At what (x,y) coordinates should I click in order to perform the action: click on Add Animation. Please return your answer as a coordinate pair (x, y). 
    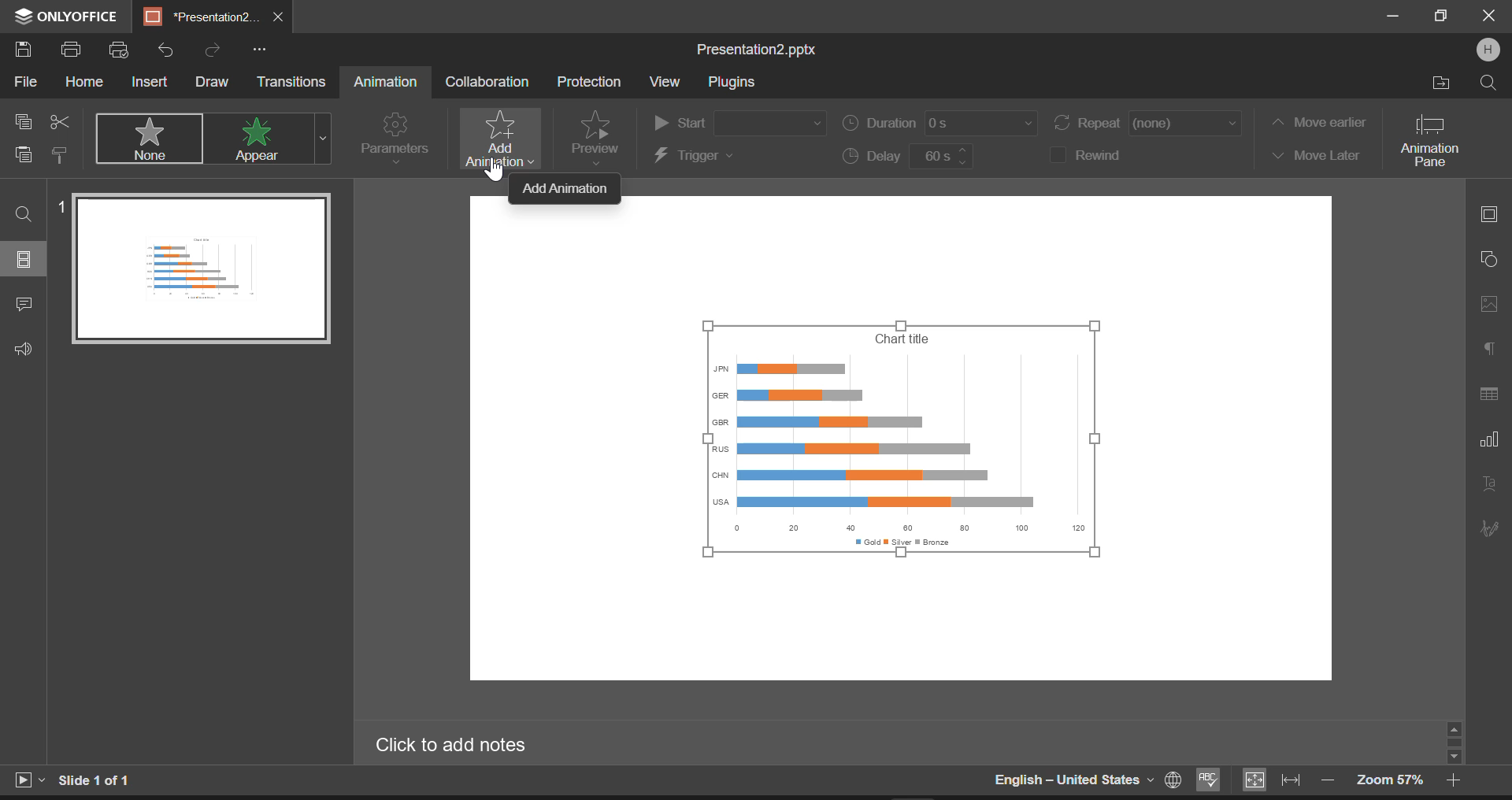
    Looking at the image, I should click on (496, 139).